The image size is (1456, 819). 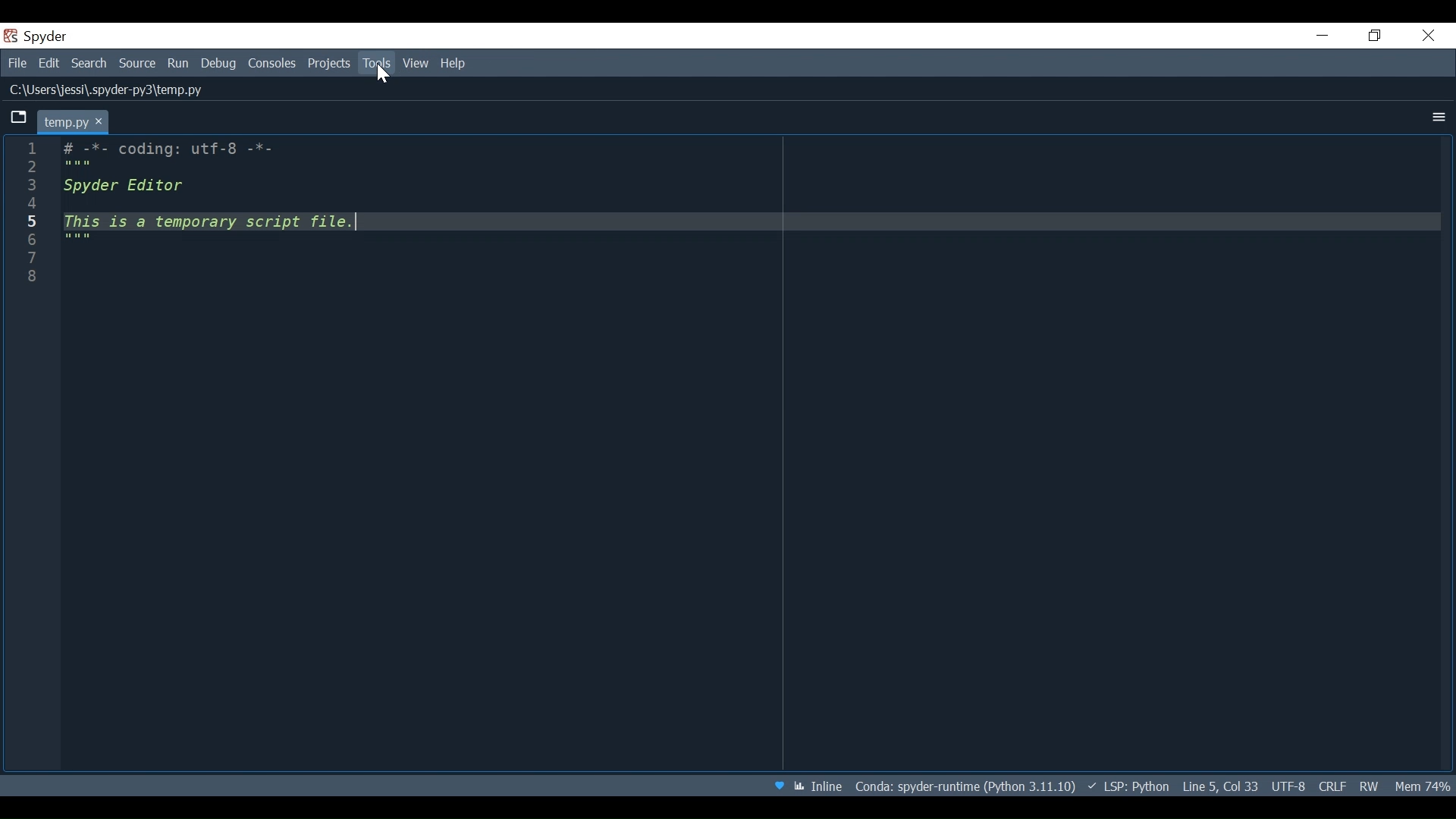 I want to click on View, so click(x=416, y=64).